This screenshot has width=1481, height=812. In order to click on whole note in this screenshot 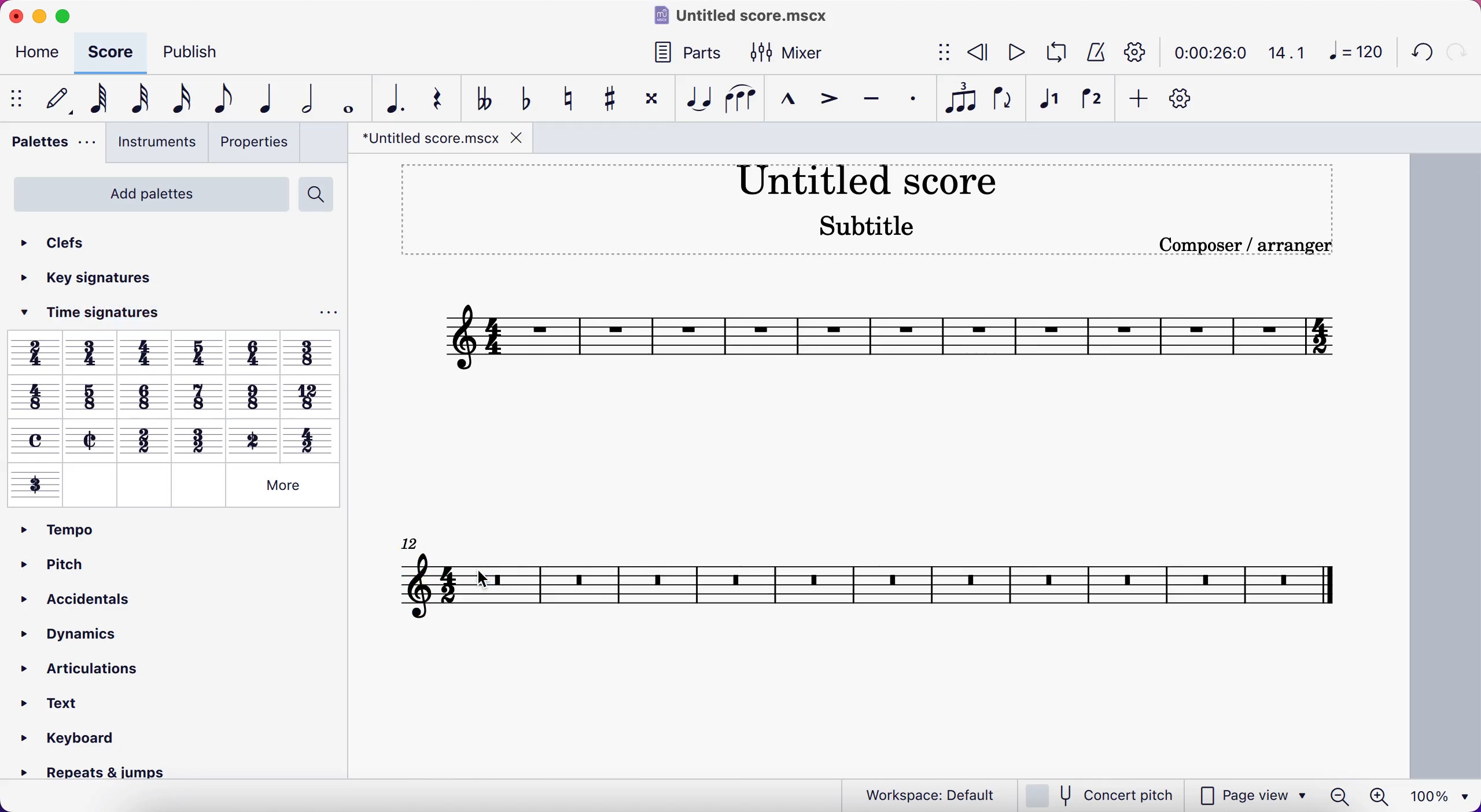, I will do `click(349, 98)`.